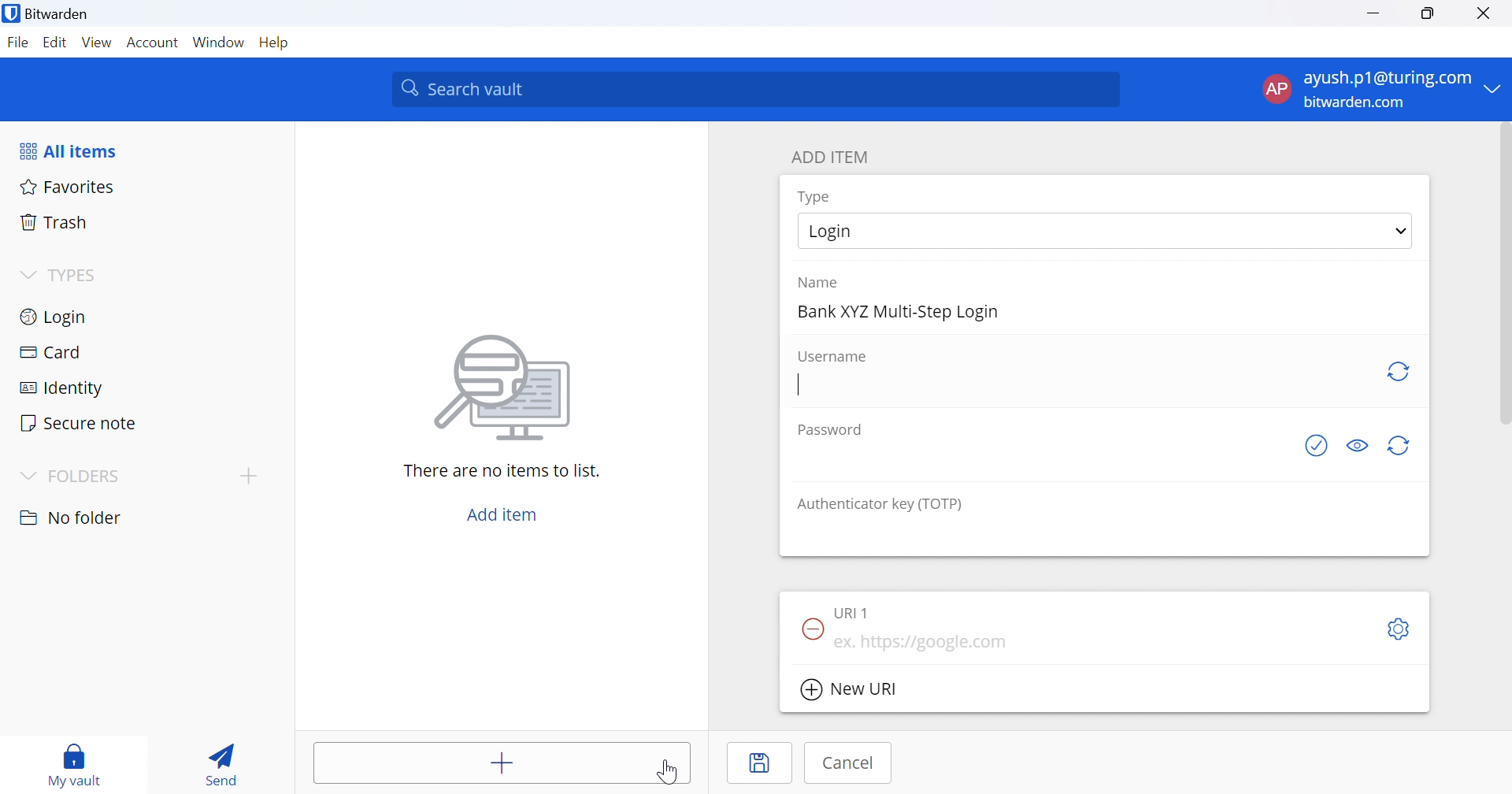 Image resolution: width=1512 pixels, height=794 pixels. Describe the element at coordinates (504, 762) in the screenshot. I see `Add item` at that location.